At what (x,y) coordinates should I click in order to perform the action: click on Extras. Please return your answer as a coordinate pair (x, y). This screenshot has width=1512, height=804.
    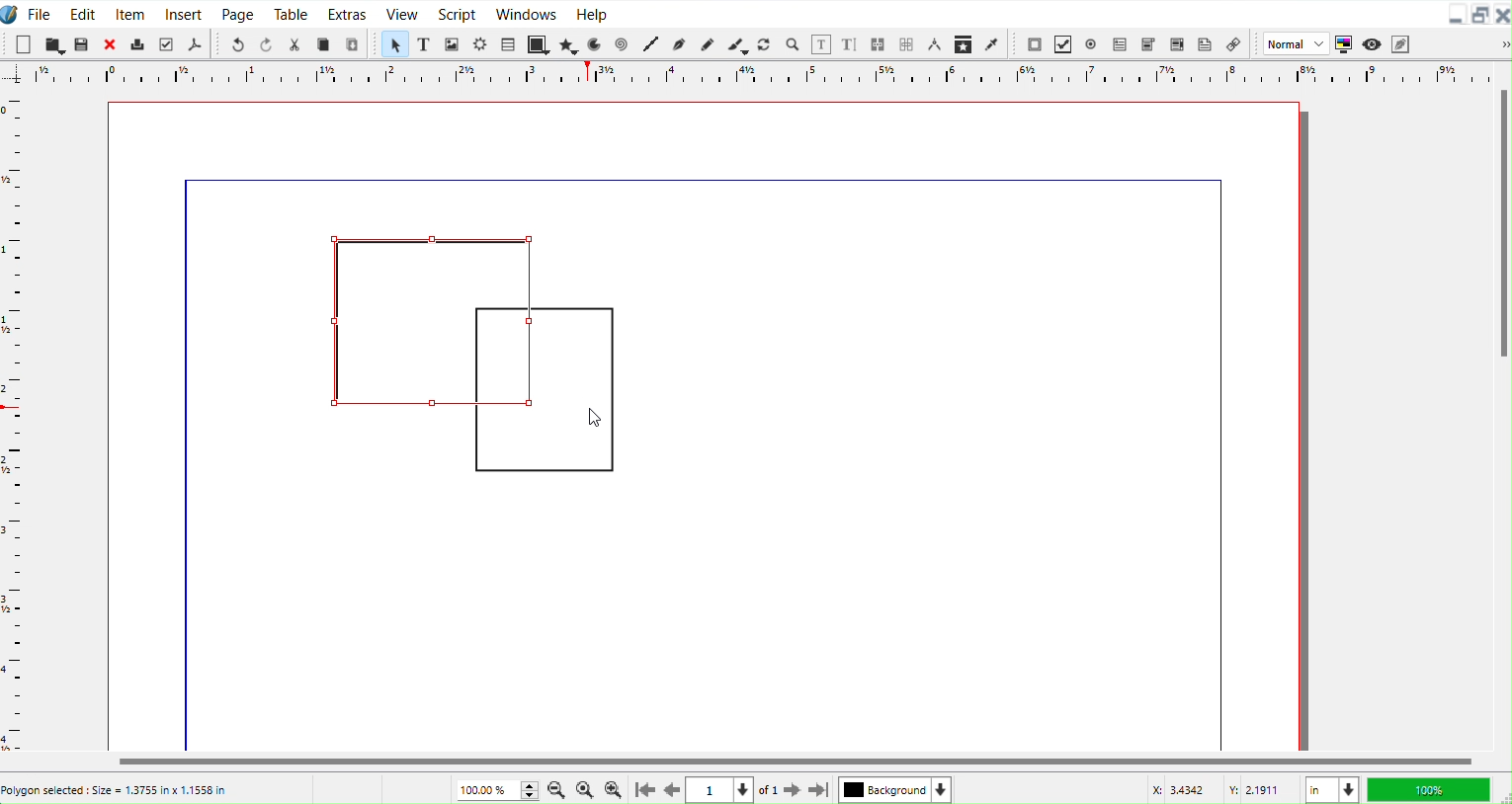
    Looking at the image, I should click on (348, 13).